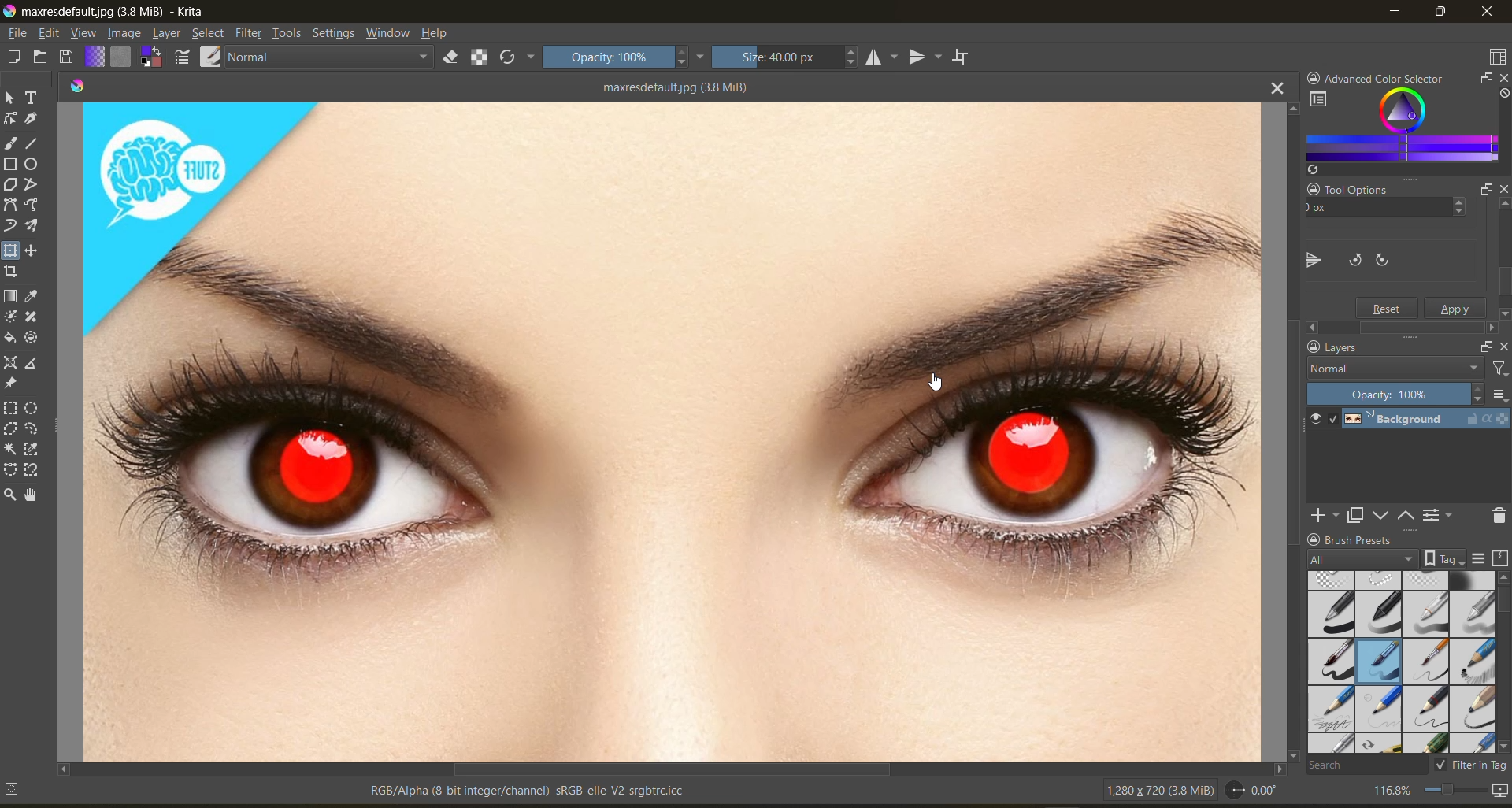 Image resolution: width=1512 pixels, height=808 pixels. Describe the element at coordinates (1273, 90) in the screenshot. I see `close tab` at that location.